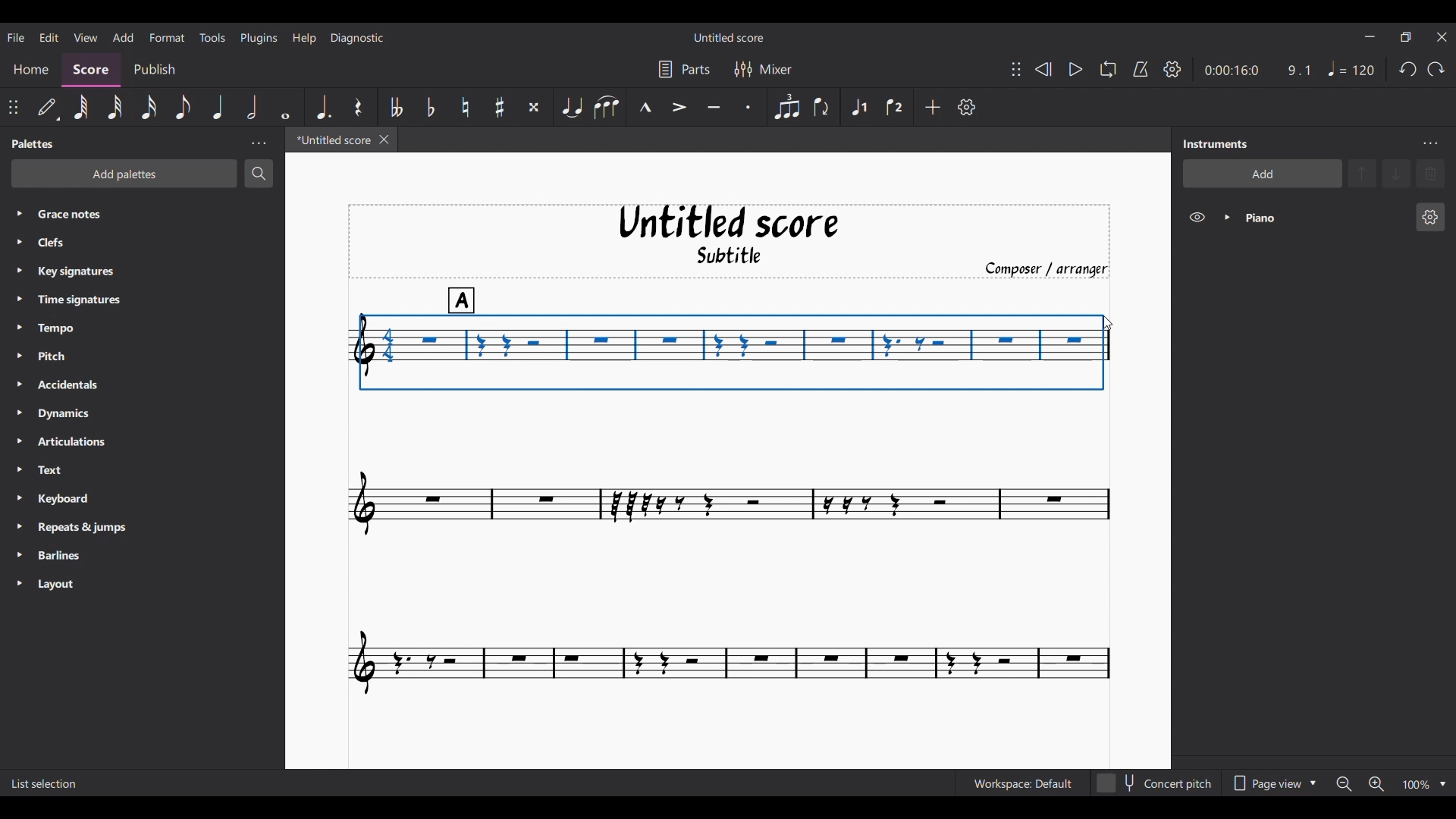 The height and width of the screenshot is (819, 1456). I want to click on Time signatures, so click(93, 299).